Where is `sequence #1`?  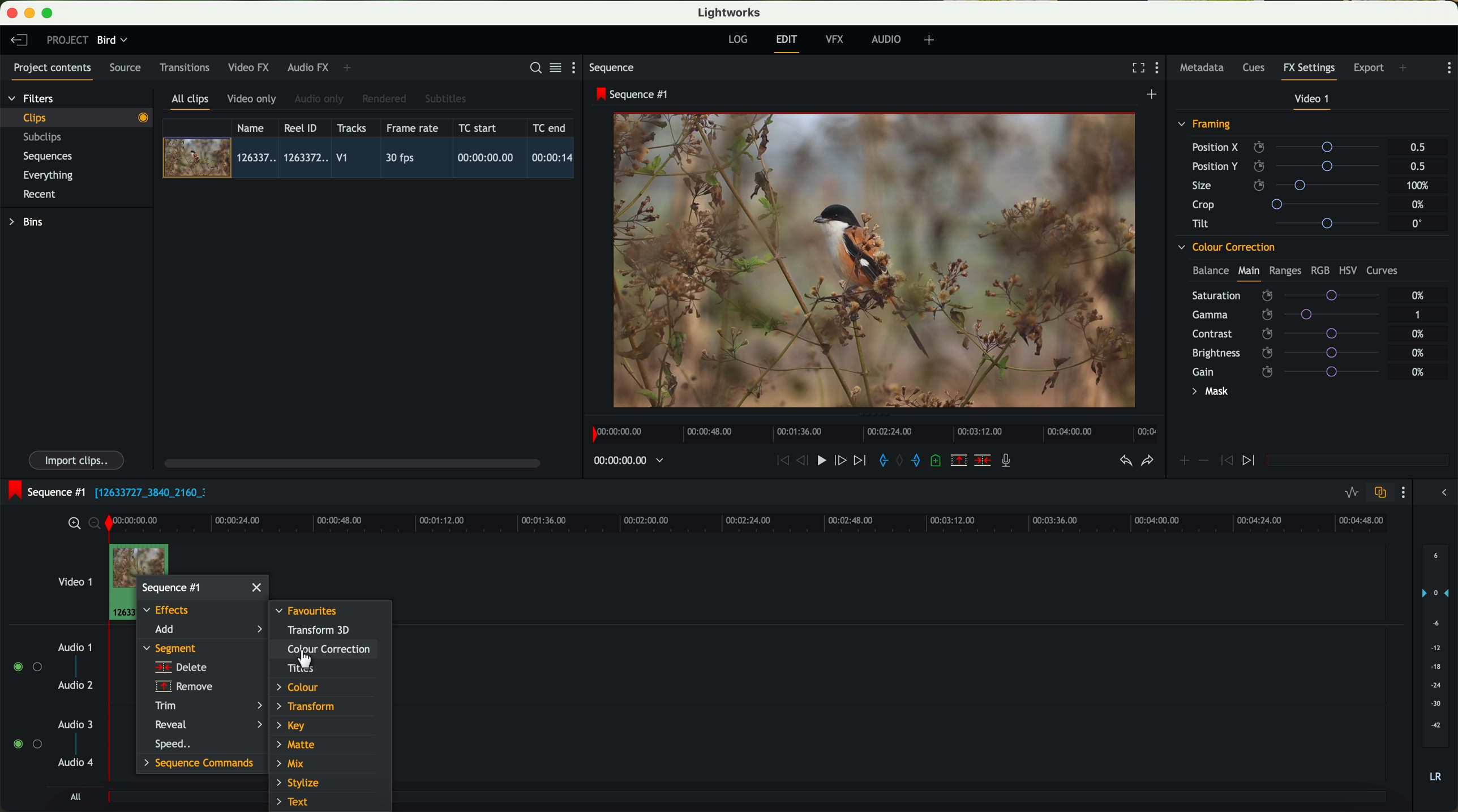
sequence #1 is located at coordinates (172, 587).